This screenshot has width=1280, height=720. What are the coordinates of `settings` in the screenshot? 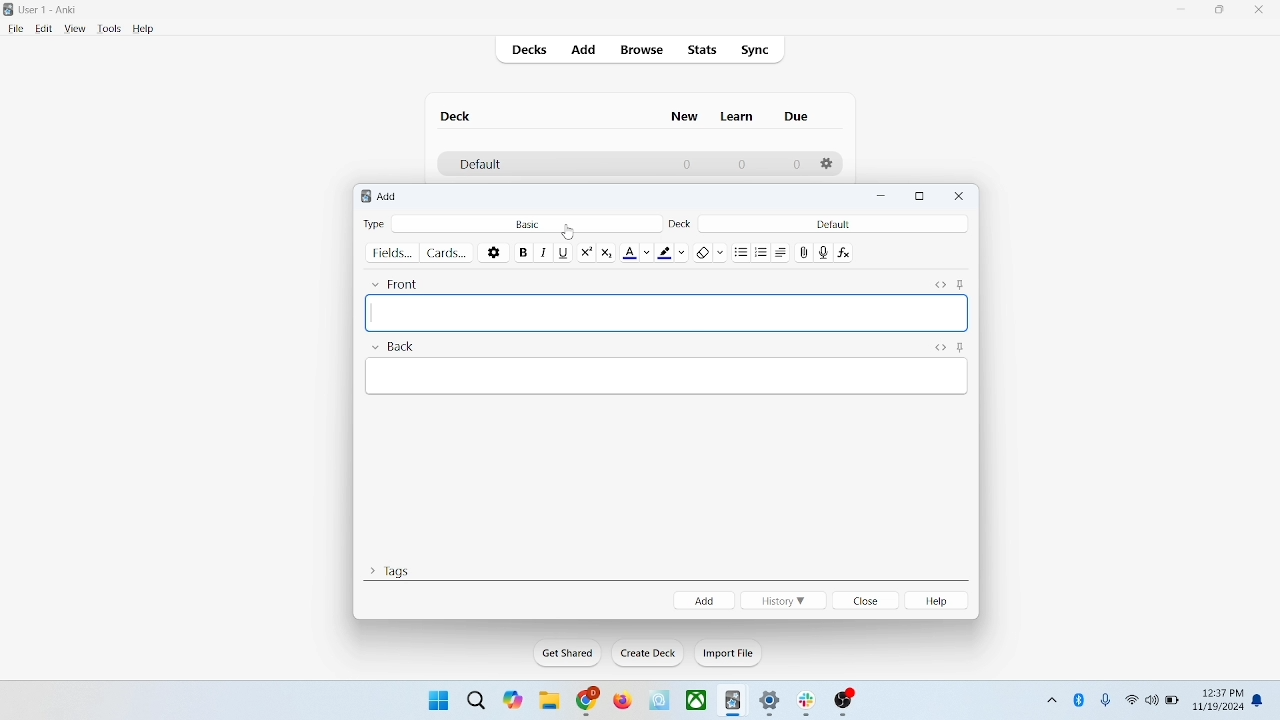 It's located at (771, 704).